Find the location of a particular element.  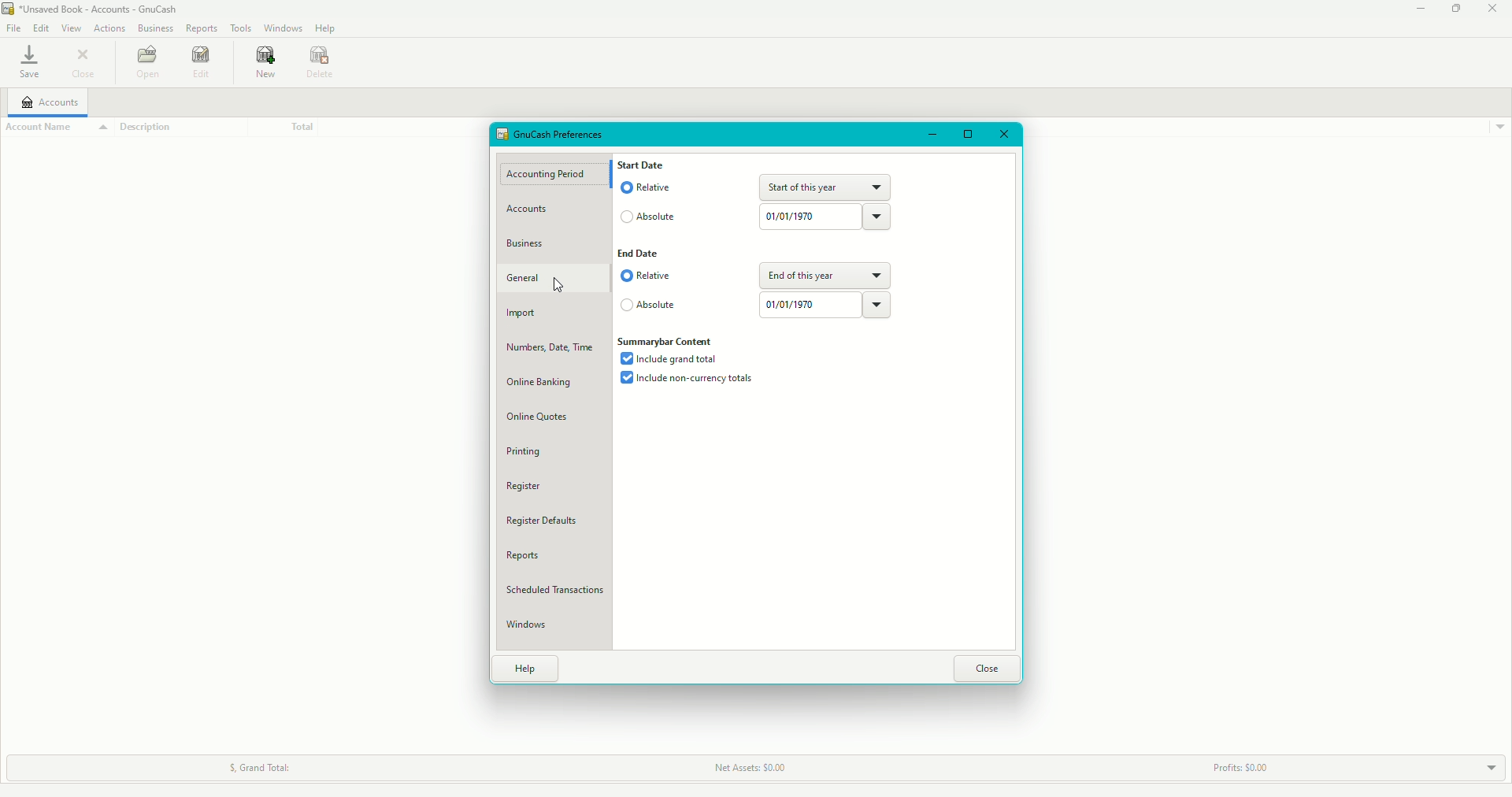

Absolute is located at coordinates (655, 306).